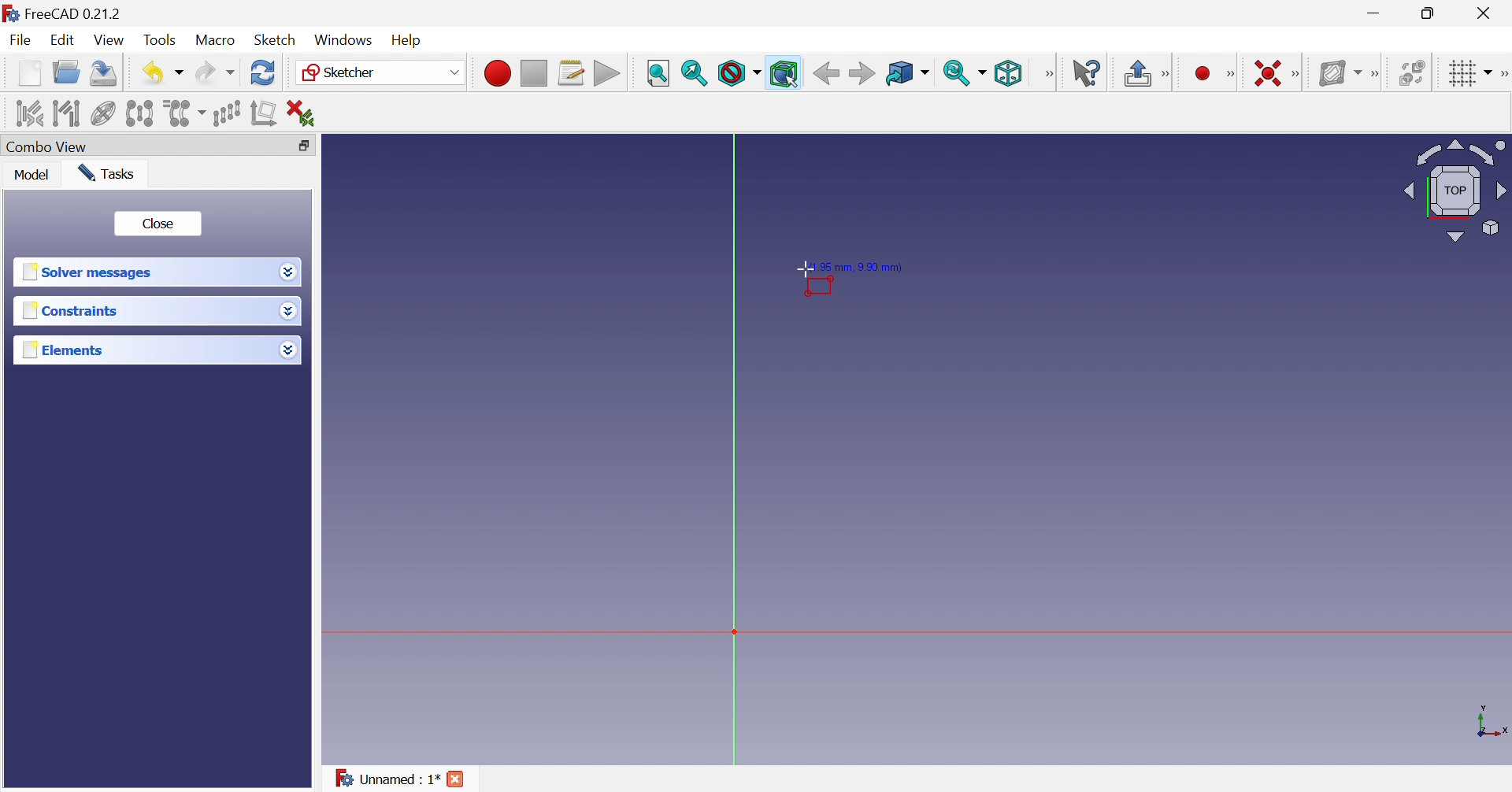  What do you see at coordinates (67, 72) in the screenshot?
I see `Open` at bounding box center [67, 72].